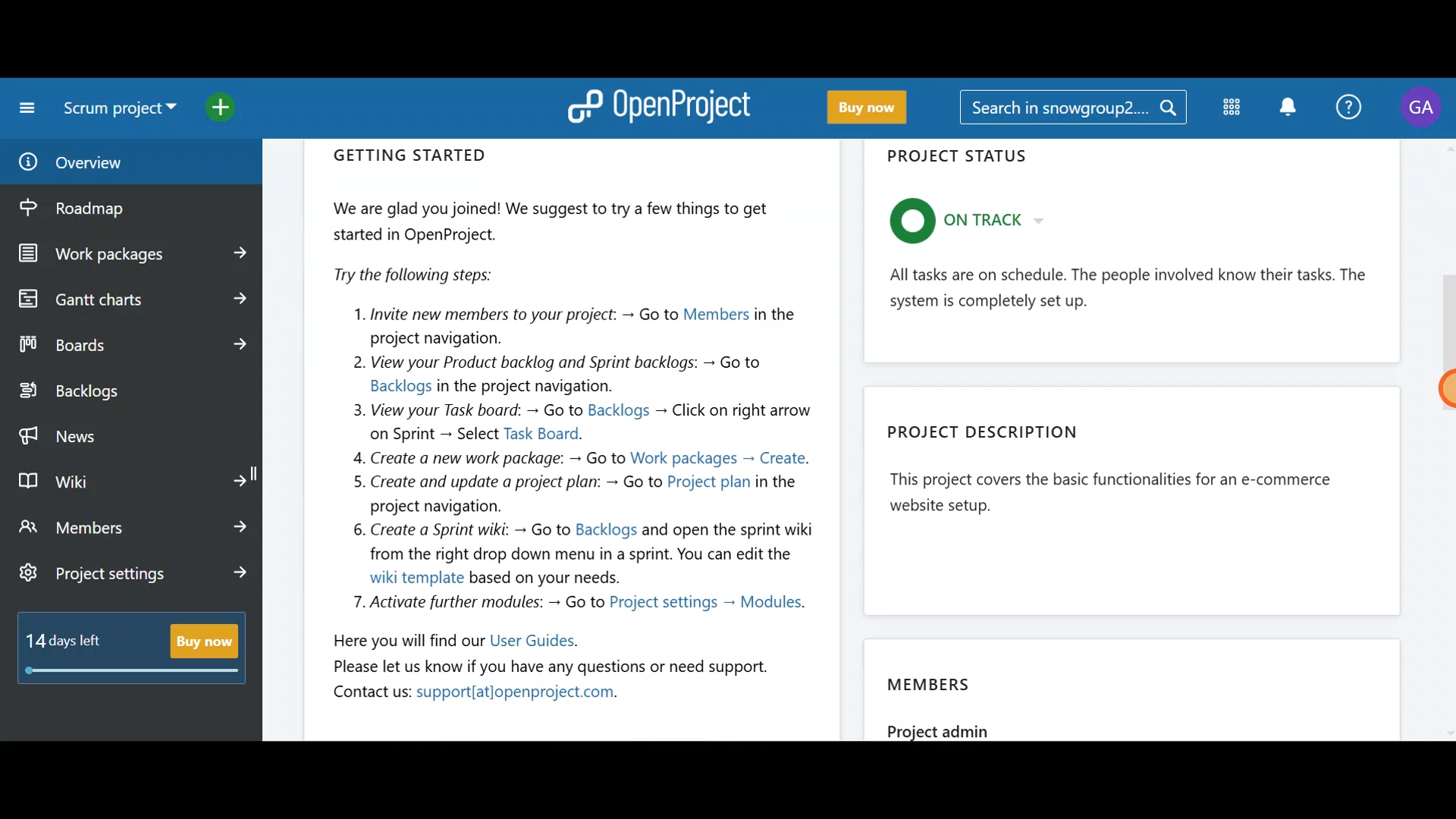 Image resolution: width=1456 pixels, height=819 pixels. I want to click on Boards, so click(131, 344).